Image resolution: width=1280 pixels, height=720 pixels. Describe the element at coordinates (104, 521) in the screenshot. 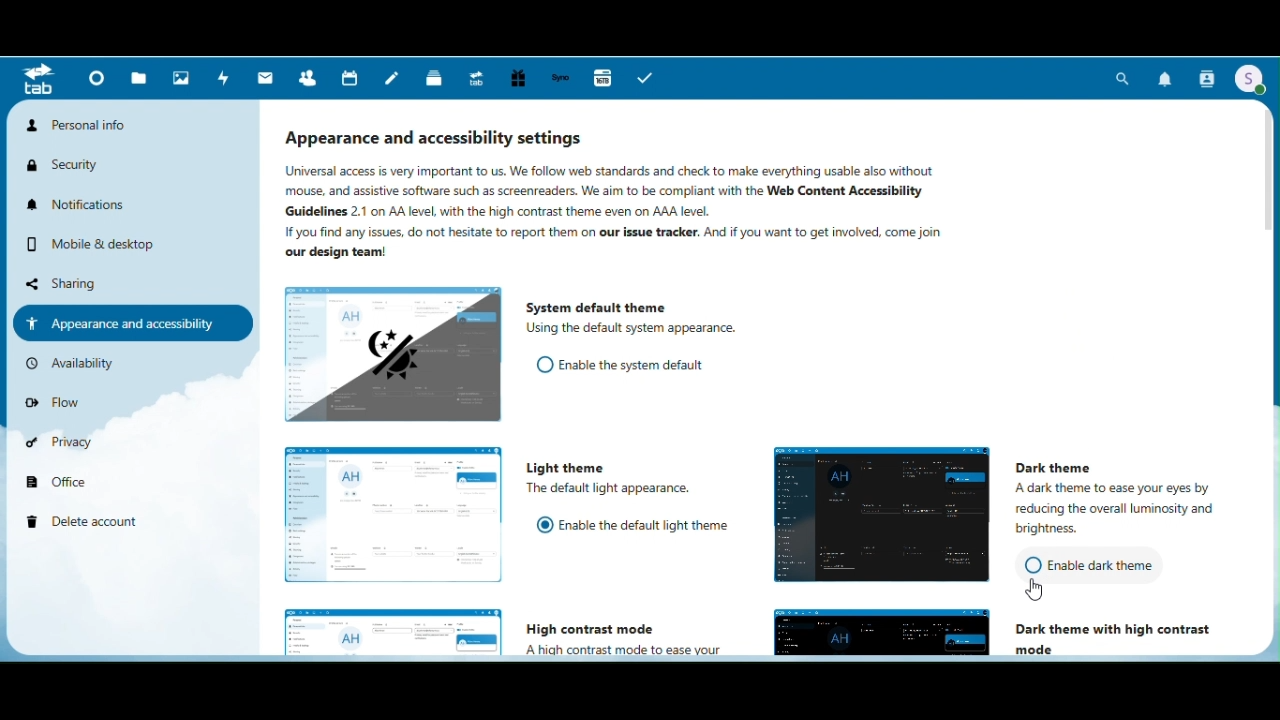

I see `Delete account` at that location.